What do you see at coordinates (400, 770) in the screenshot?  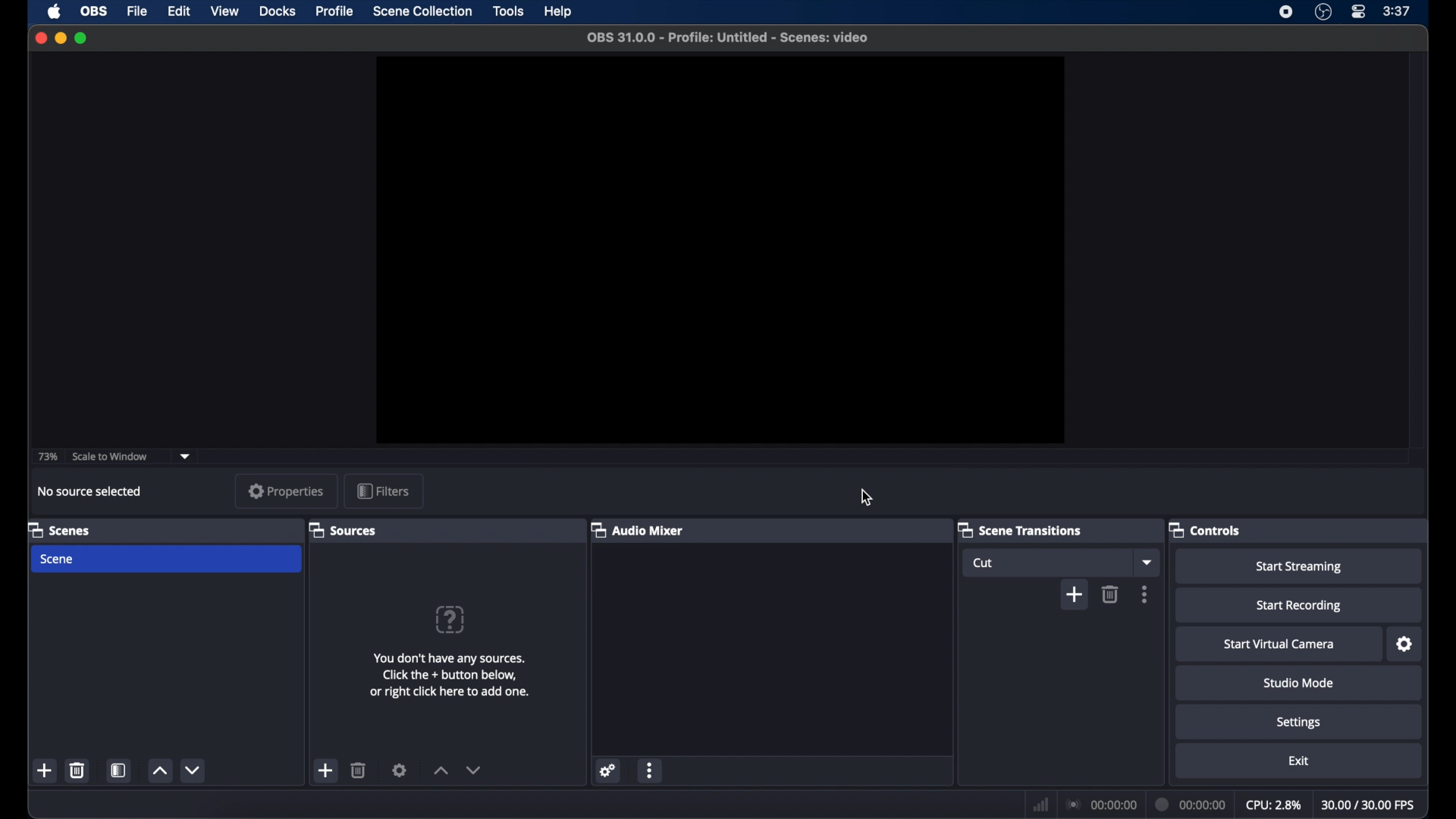 I see `settings` at bounding box center [400, 770].